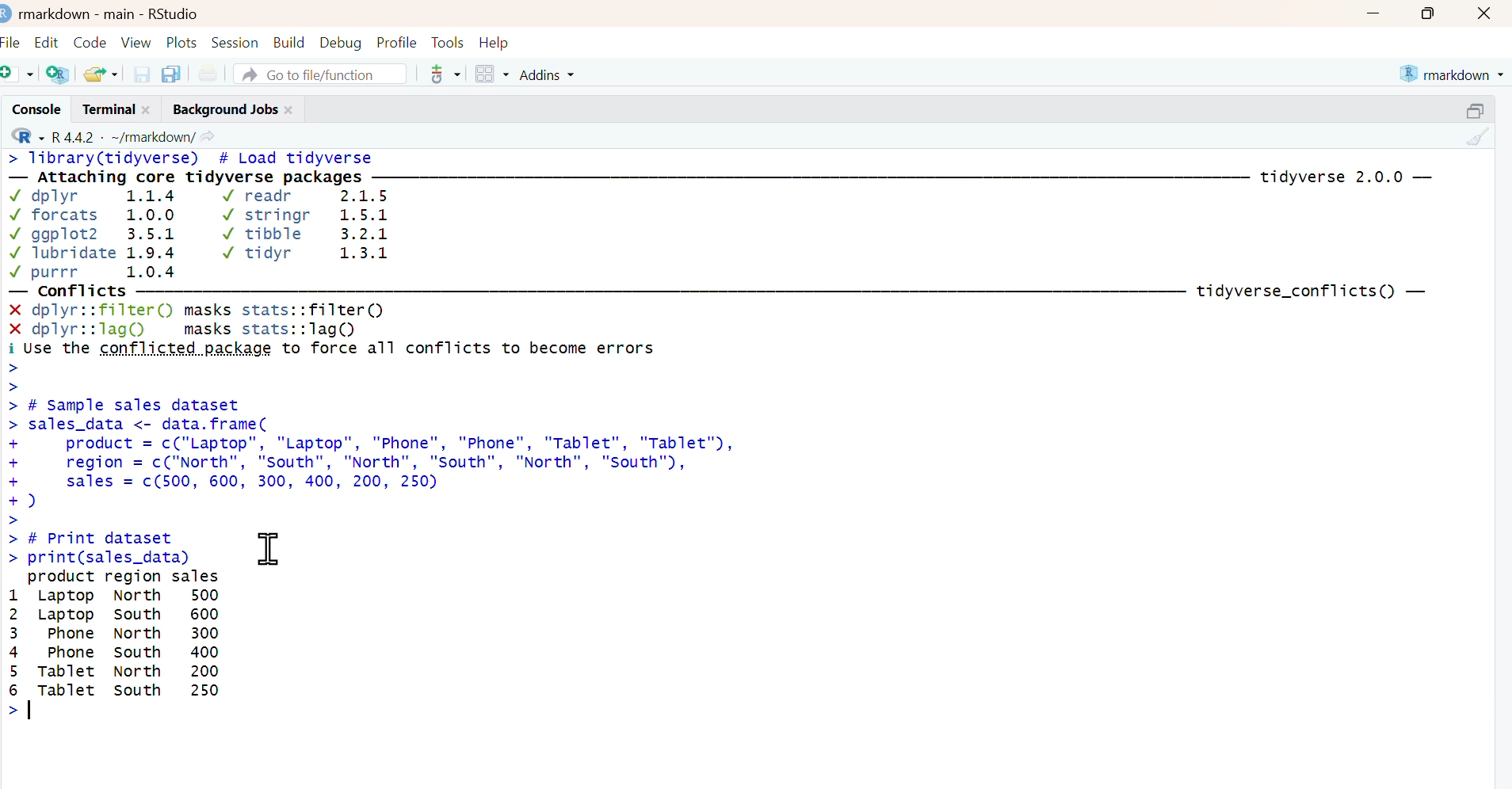 The height and width of the screenshot is (789, 1512). What do you see at coordinates (447, 40) in the screenshot?
I see `Tools` at bounding box center [447, 40].